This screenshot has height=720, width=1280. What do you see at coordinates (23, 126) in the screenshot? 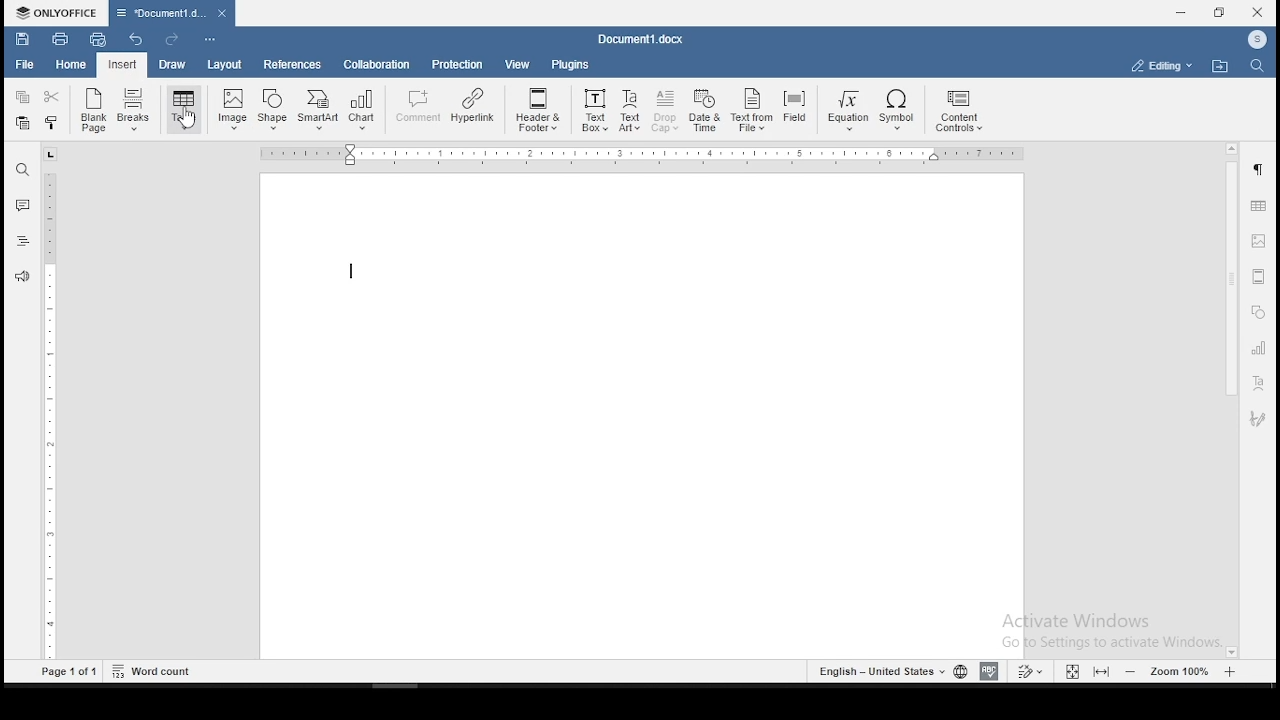
I see `paste` at bounding box center [23, 126].